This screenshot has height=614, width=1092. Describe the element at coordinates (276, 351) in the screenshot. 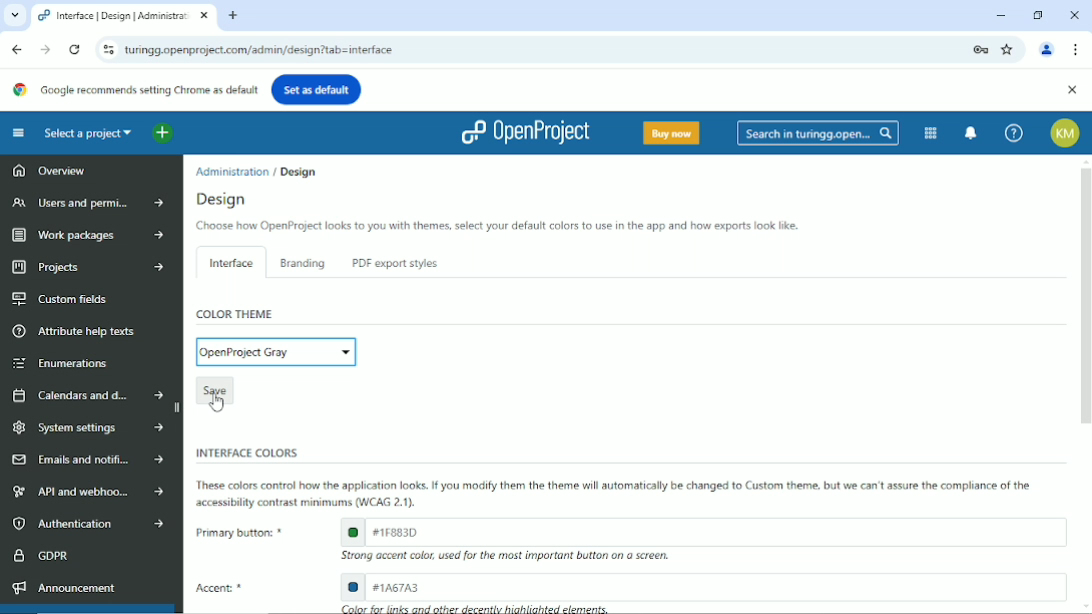

I see `edit color theme (current color theme: OpenProject gray` at that location.